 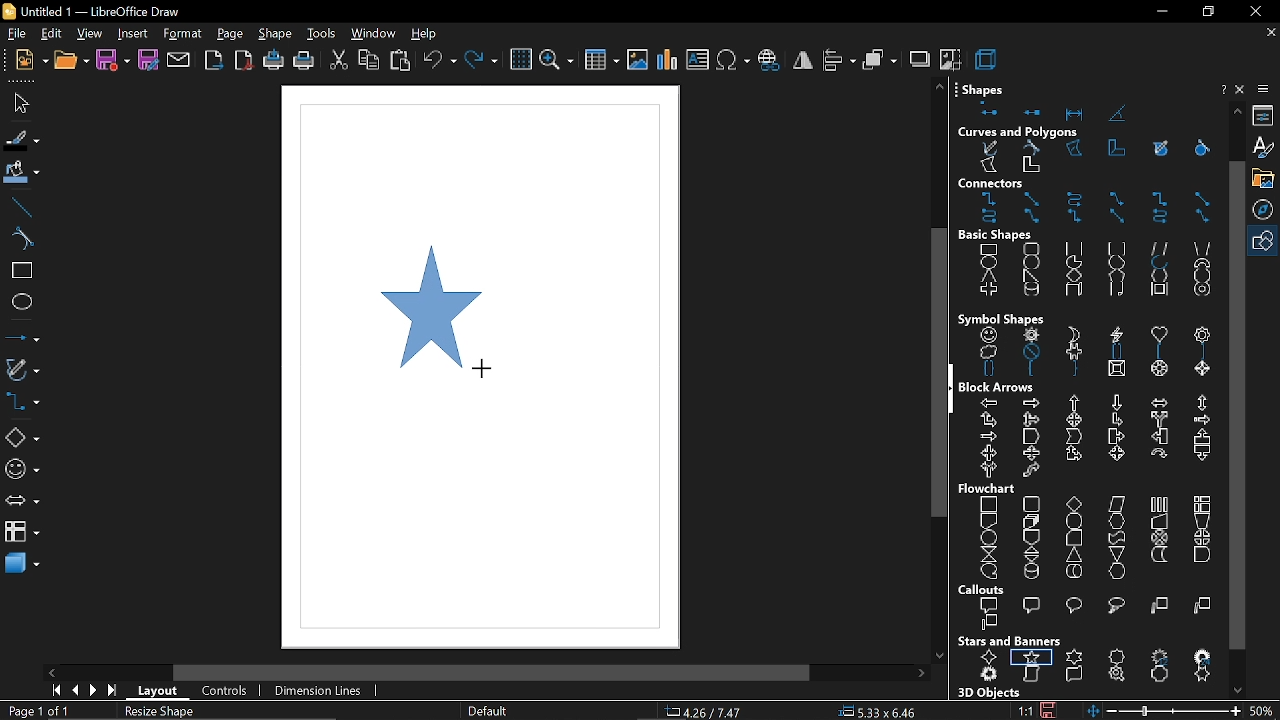 I want to click on arrange, so click(x=880, y=61).